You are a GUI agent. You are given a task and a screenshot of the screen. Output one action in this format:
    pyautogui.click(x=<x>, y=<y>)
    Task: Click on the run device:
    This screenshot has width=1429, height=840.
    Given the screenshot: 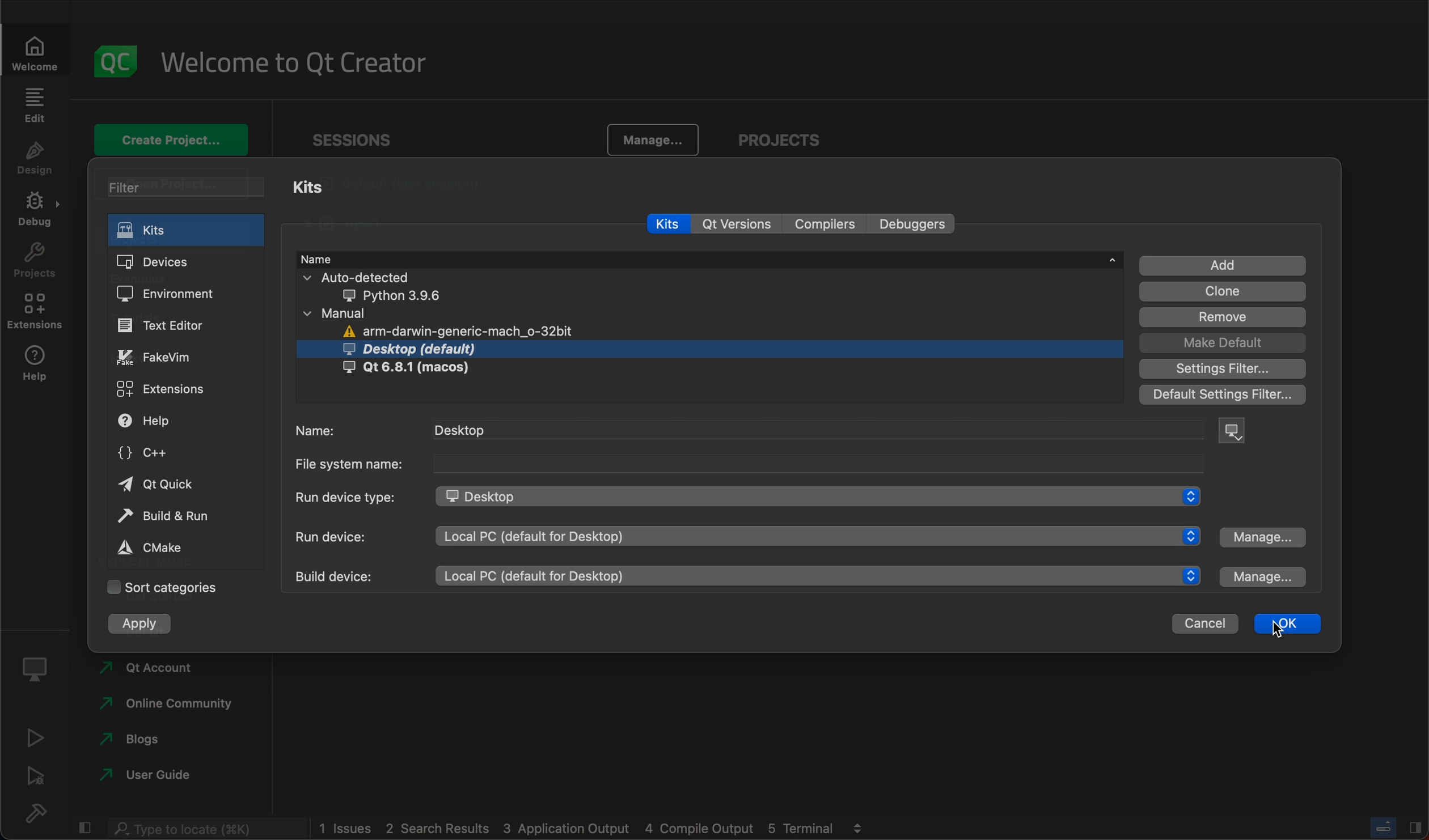 What is the action you would take?
    pyautogui.click(x=337, y=537)
    